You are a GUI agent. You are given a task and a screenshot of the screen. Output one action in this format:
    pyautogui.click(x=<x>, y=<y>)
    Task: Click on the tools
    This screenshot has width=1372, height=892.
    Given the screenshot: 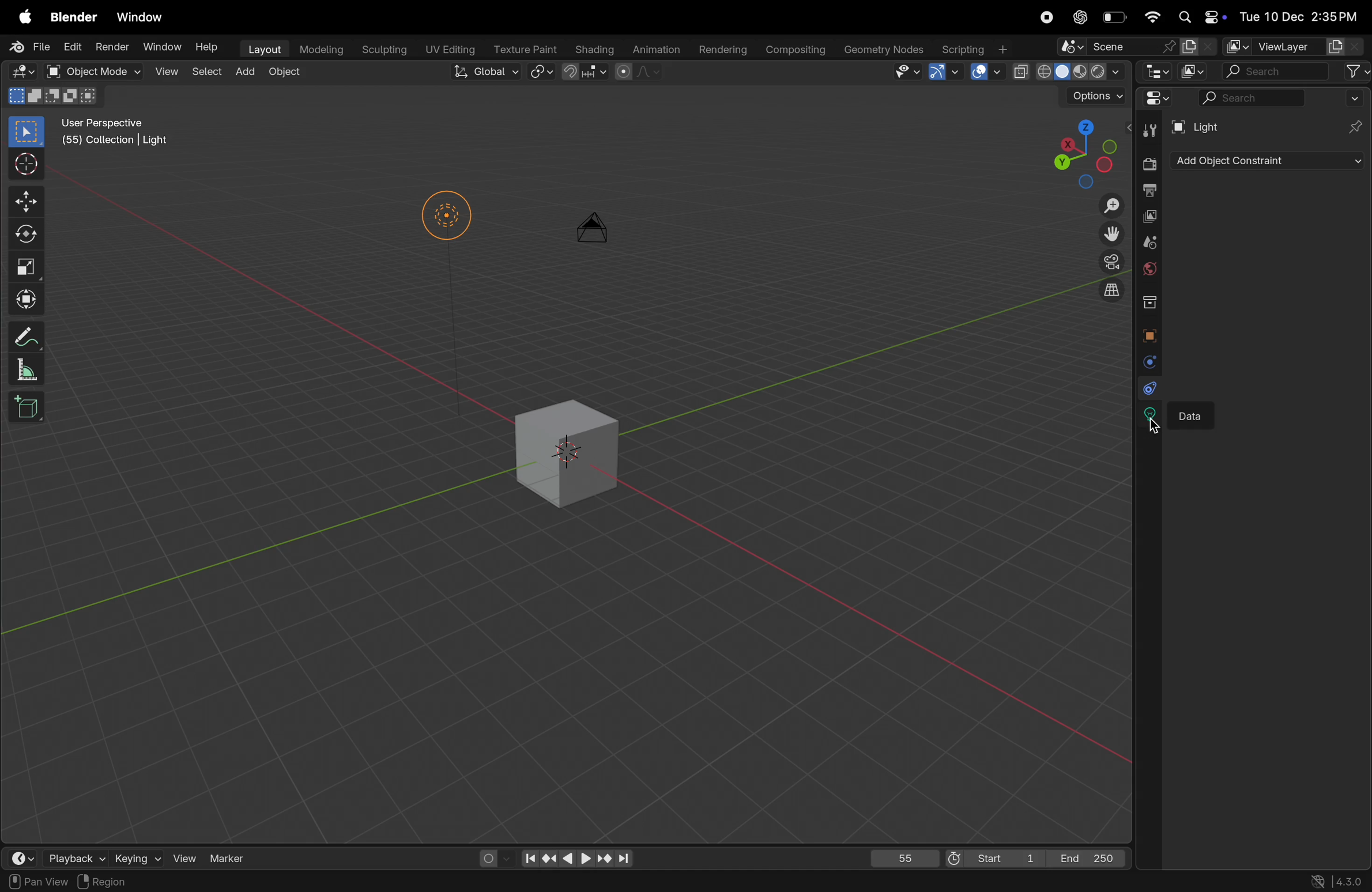 What is the action you would take?
    pyautogui.click(x=1149, y=129)
    